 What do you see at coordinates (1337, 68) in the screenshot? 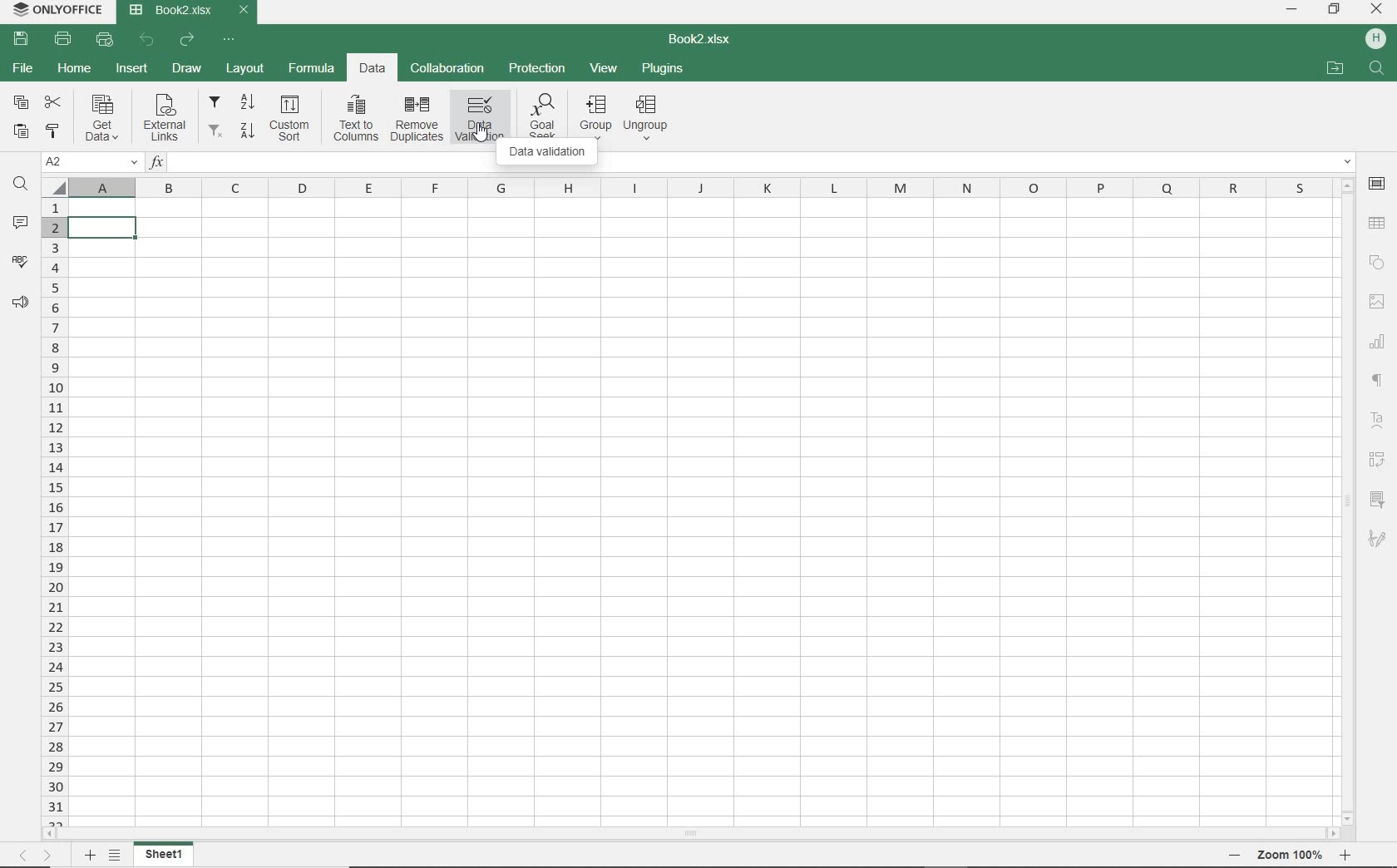
I see `OPEN FILE LOCATION` at bounding box center [1337, 68].